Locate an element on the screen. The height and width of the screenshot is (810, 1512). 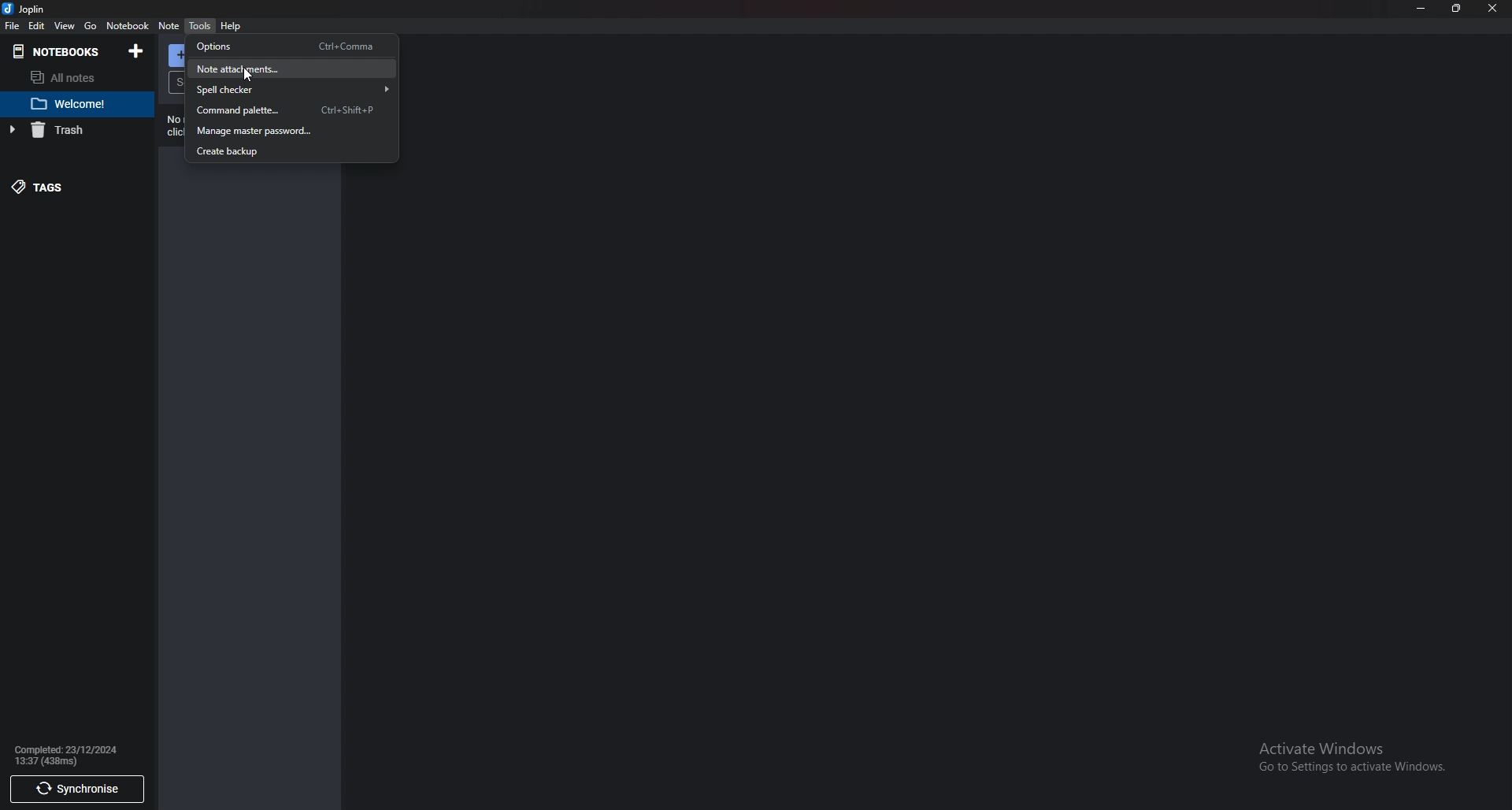
View is located at coordinates (66, 26).